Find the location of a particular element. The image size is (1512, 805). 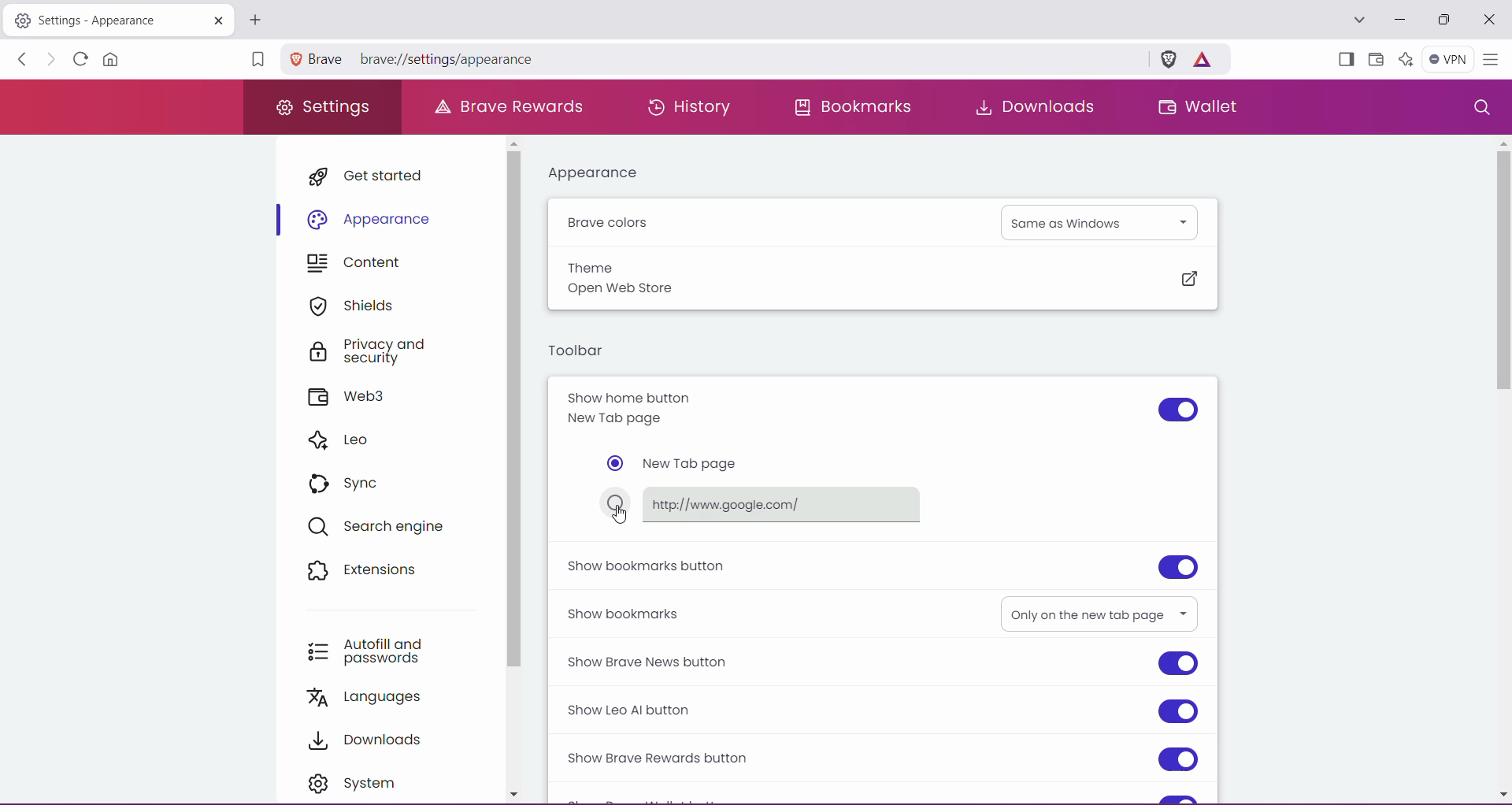

Theme is located at coordinates (591, 266).